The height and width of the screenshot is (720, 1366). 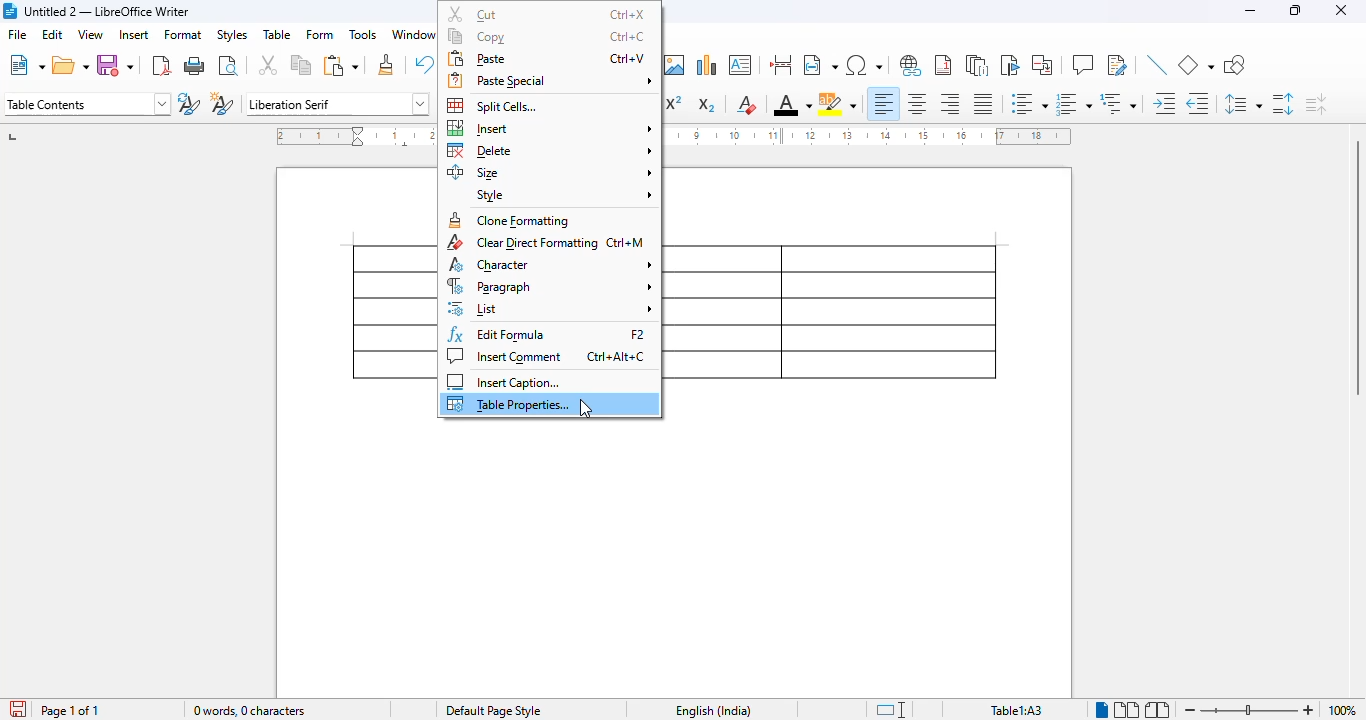 What do you see at coordinates (551, 150) in the screenshot?
I see `delete` at bounding box center [551, 150].